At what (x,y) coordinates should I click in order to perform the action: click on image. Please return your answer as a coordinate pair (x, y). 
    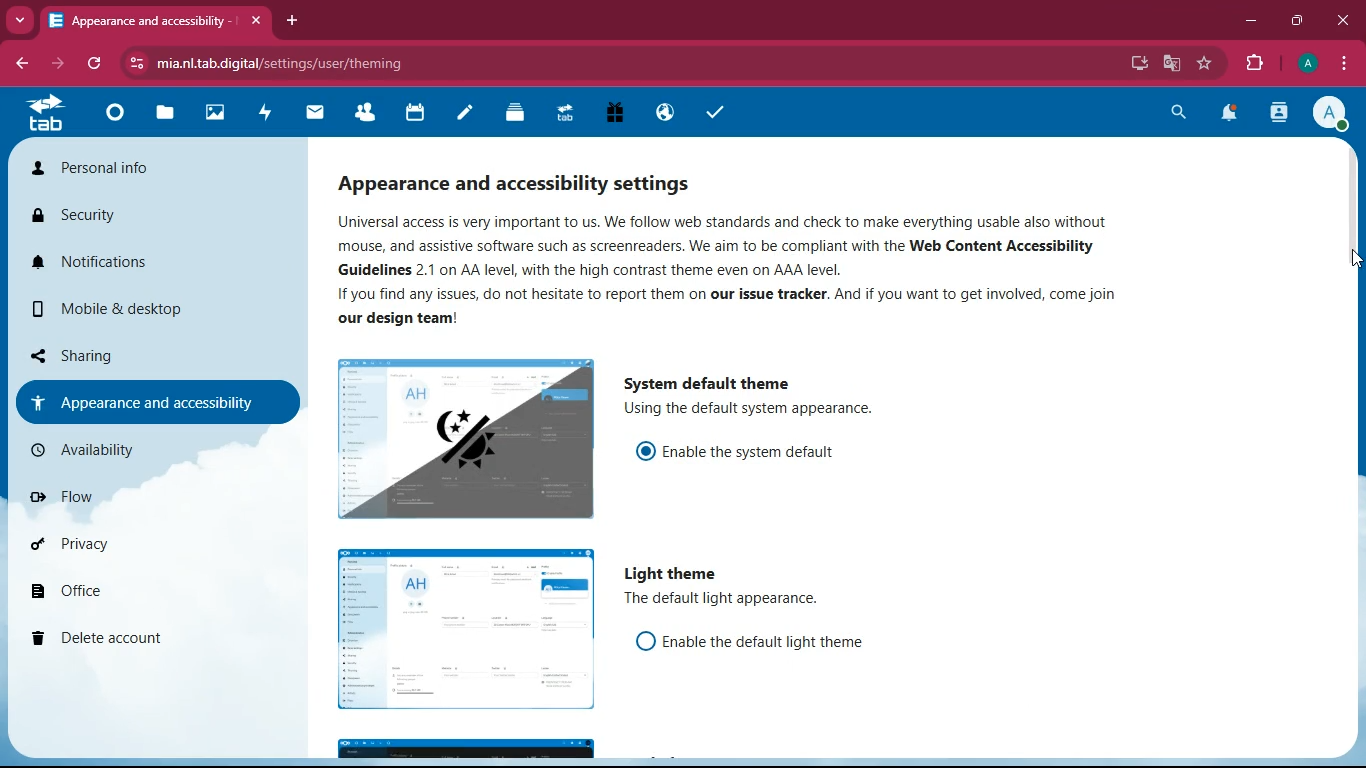
    Looking at the image, I should click on (467, 630).